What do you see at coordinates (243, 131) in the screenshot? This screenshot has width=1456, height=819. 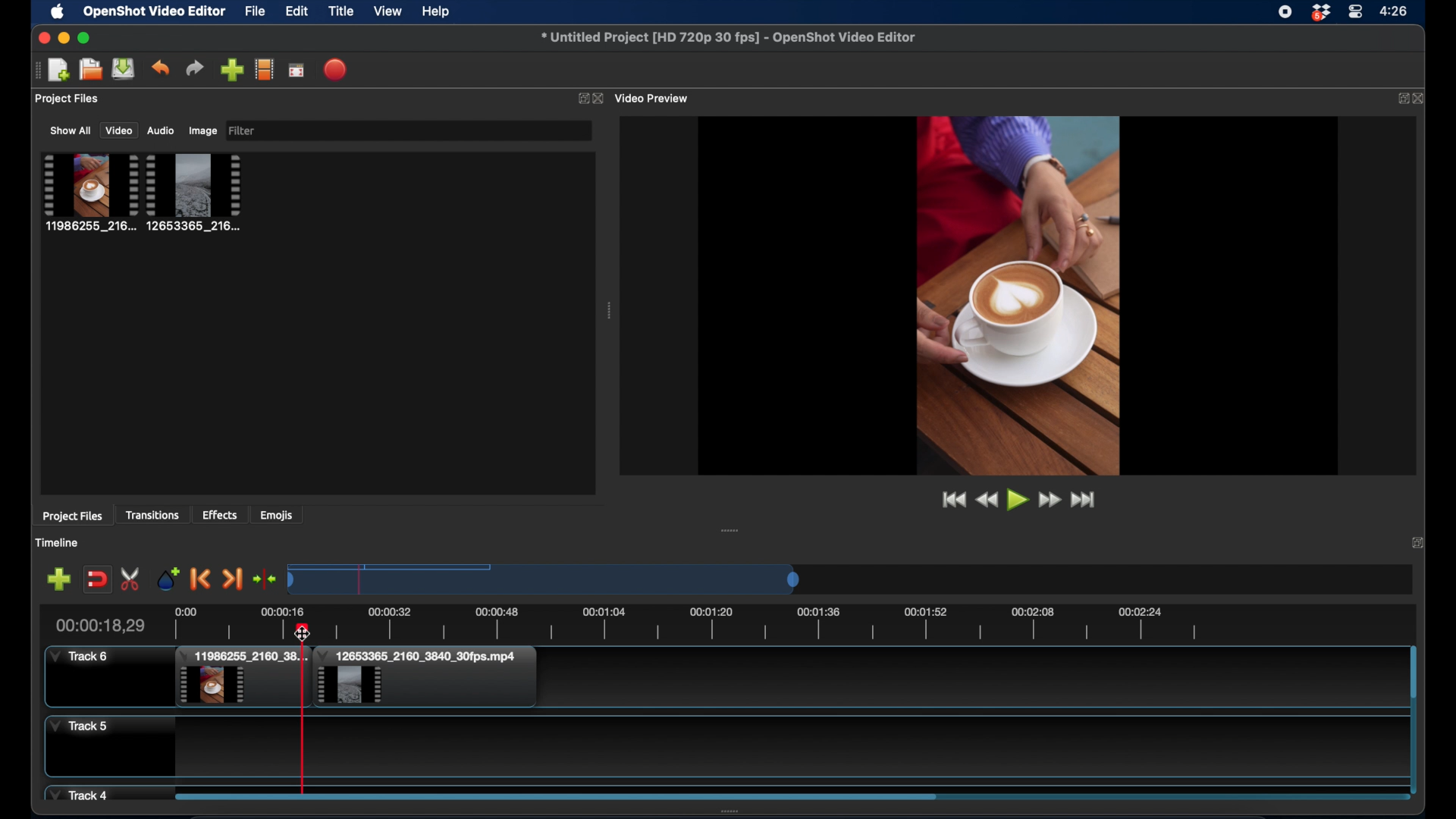 I see `filter` at bounding box center [243, 131].